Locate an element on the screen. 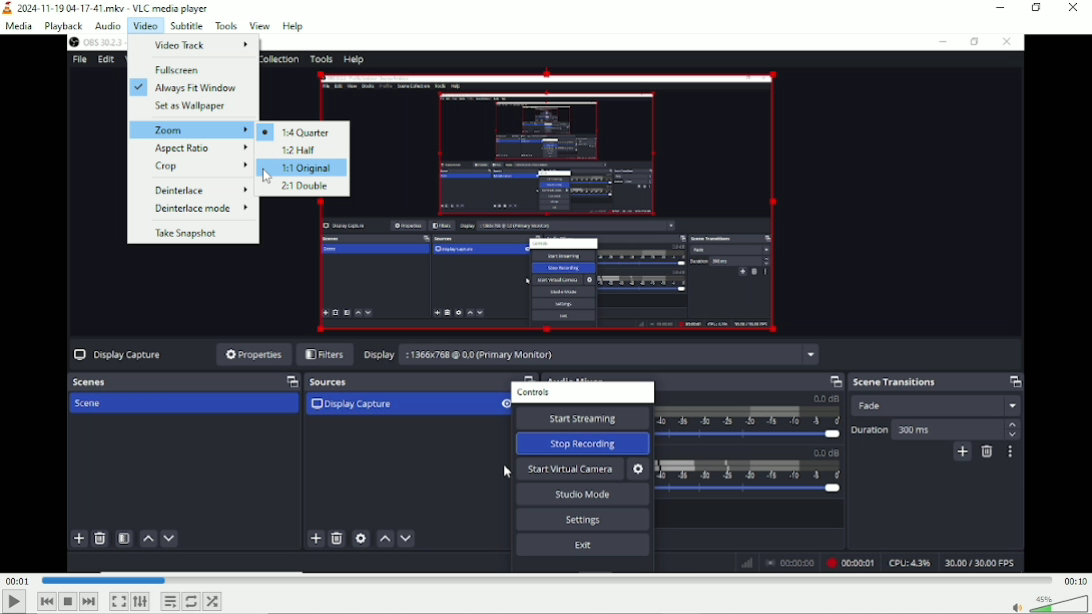 This screenshot has height=614, width=1092.  is located at coordinates (118, 601).